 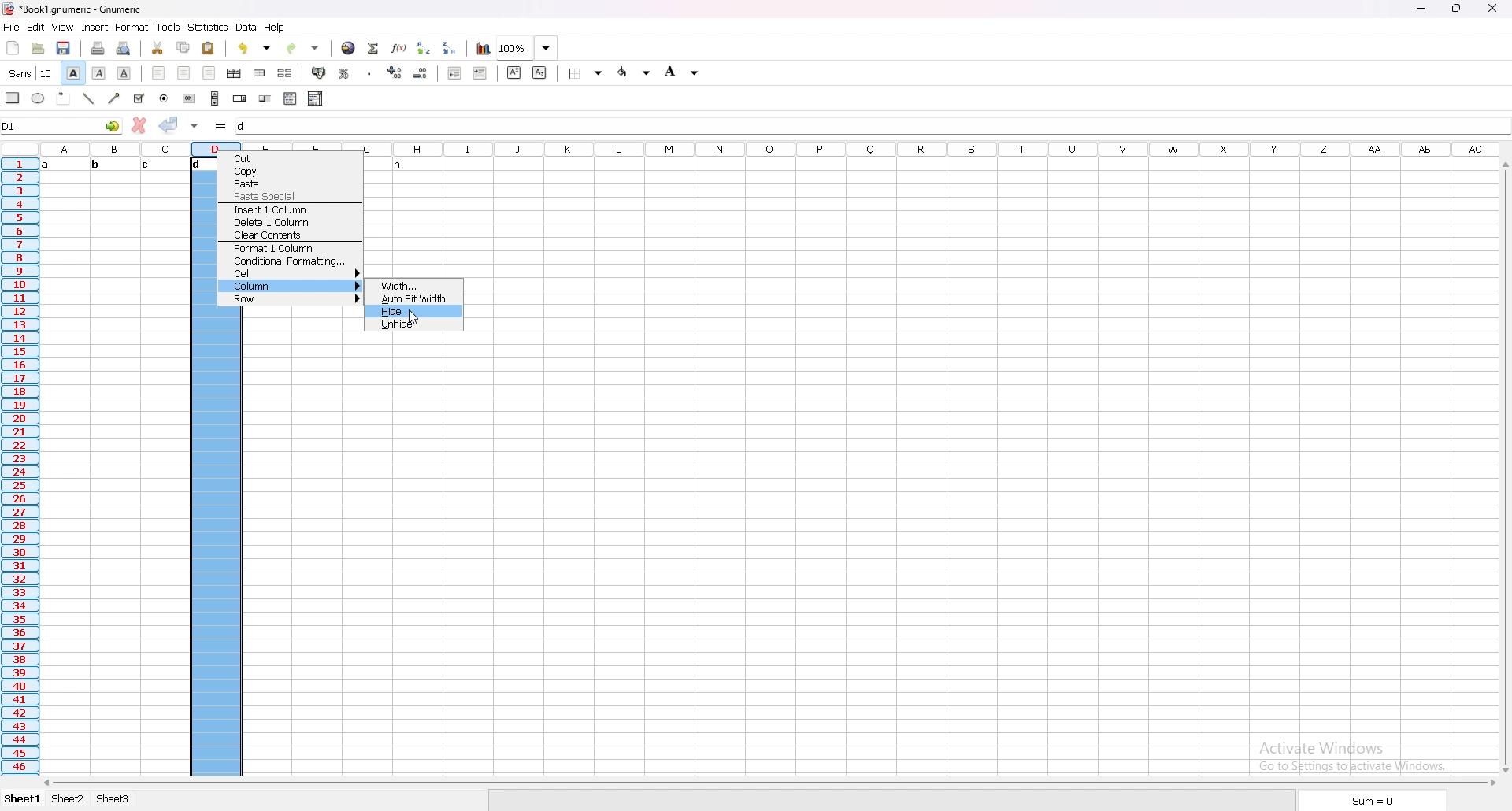 I want to click on new, so click(x=13, y=48).